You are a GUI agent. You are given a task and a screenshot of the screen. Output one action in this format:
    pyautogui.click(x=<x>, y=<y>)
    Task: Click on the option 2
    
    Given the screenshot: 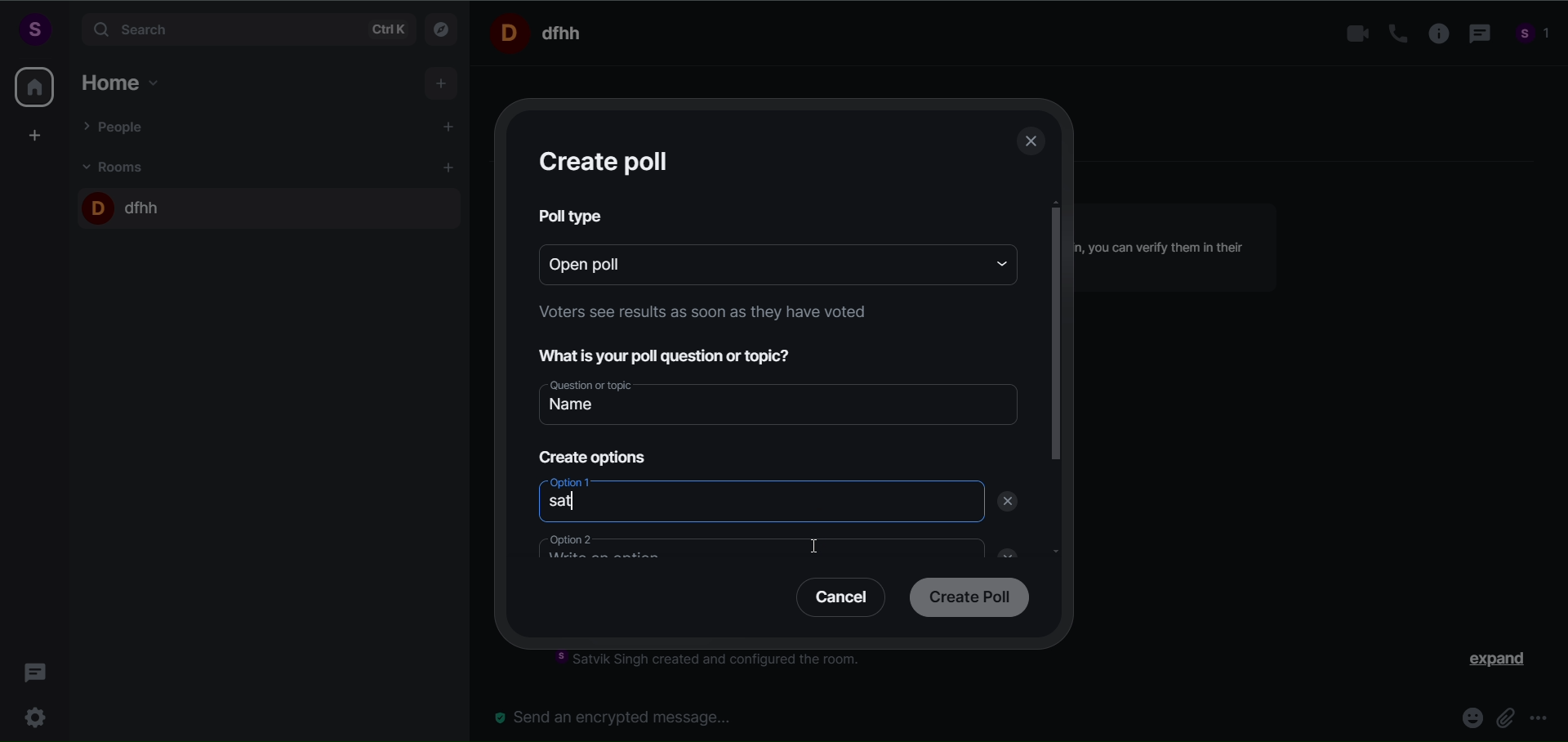 What is the action you would take?
    pyautogui.click(x=749, y=549)
    